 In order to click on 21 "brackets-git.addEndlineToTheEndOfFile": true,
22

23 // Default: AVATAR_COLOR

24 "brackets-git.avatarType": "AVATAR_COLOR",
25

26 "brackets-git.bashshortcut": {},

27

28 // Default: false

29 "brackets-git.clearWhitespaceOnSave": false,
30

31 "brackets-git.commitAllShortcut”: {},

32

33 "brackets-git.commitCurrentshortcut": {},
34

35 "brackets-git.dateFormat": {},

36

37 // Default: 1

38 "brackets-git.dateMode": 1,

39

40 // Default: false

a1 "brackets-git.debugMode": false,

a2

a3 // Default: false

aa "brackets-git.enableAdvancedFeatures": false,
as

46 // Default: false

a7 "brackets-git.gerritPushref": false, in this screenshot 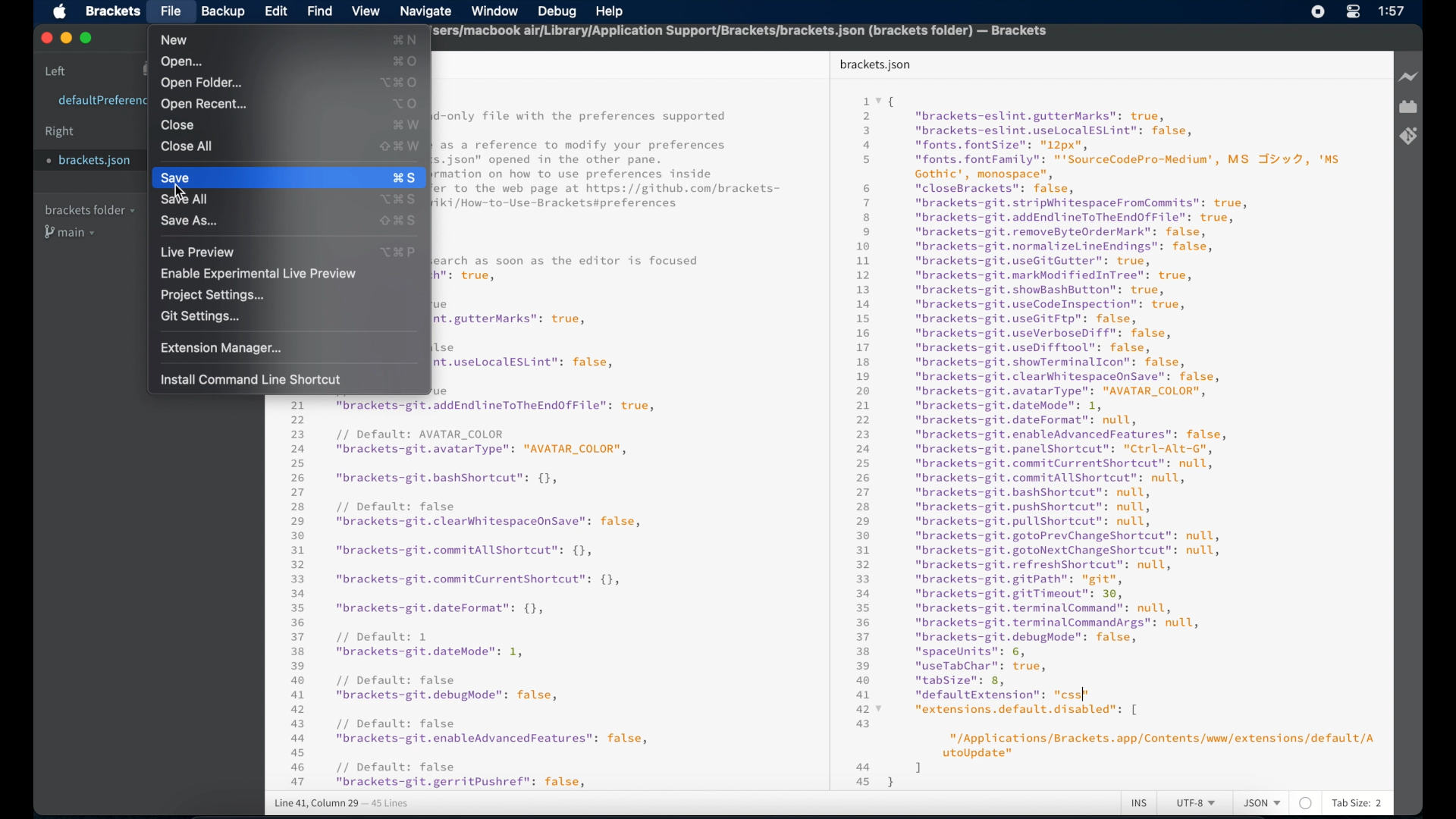, I will do `click(496, 595)`.